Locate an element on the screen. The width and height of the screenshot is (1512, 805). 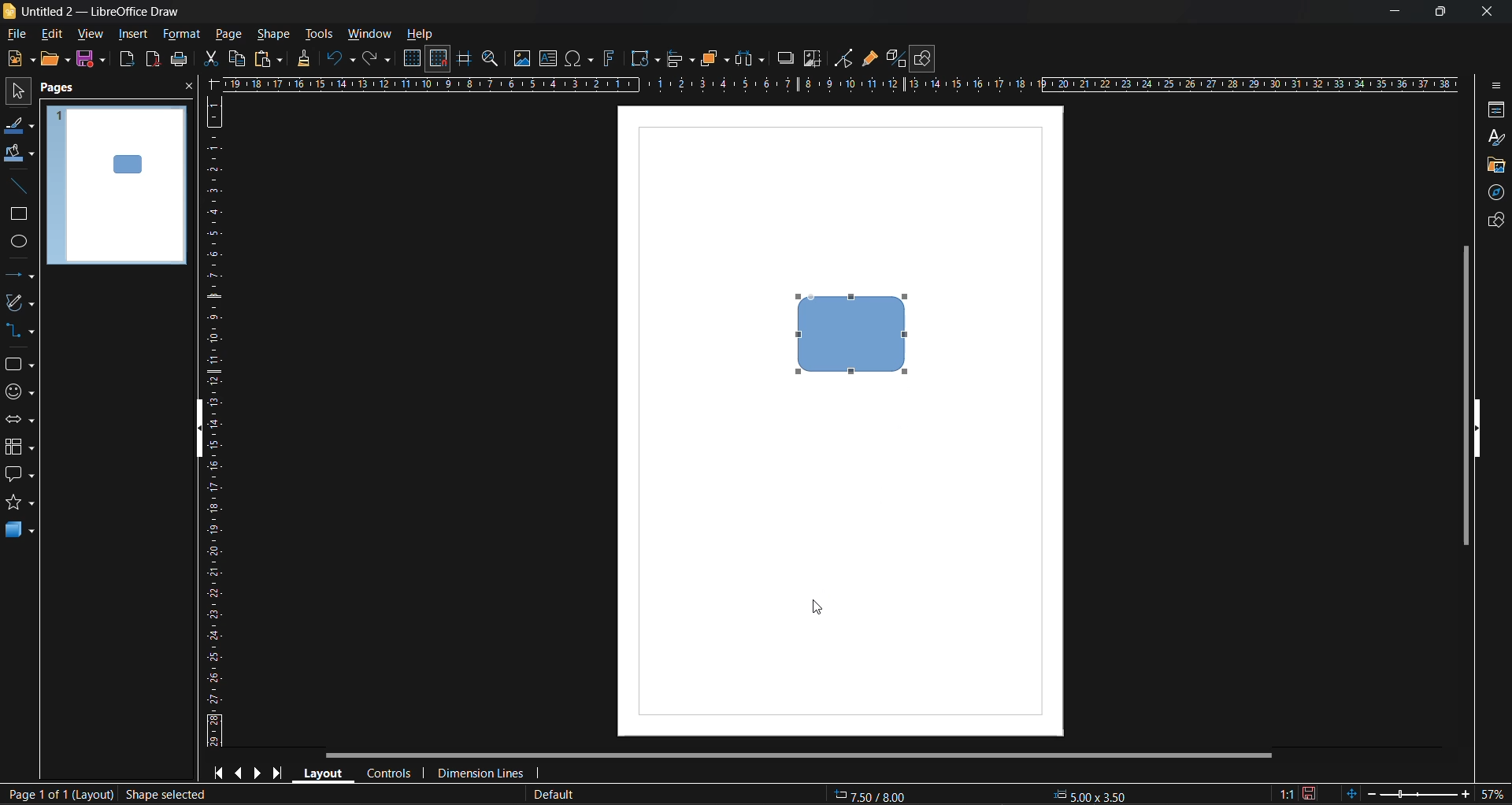
styles is located at coordinates (1497, 139).